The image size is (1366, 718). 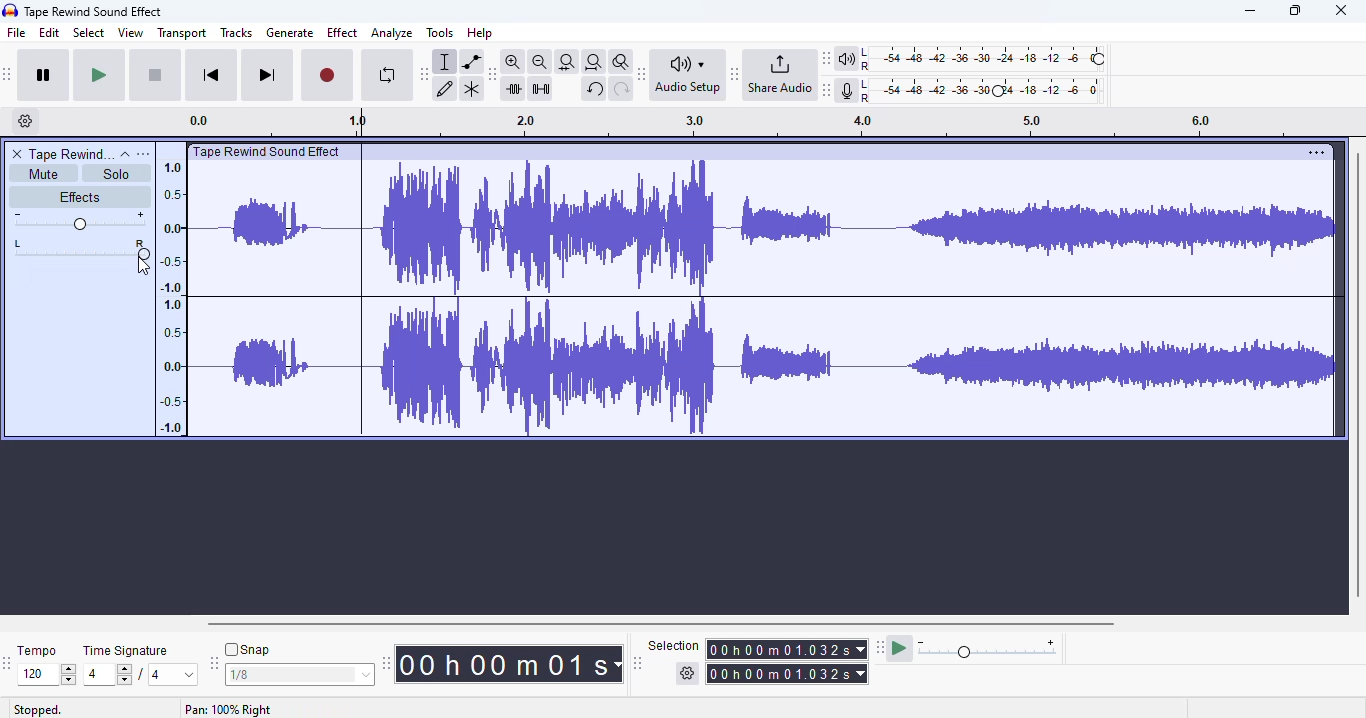 I want to click on track name, so click(x=72, y=153).